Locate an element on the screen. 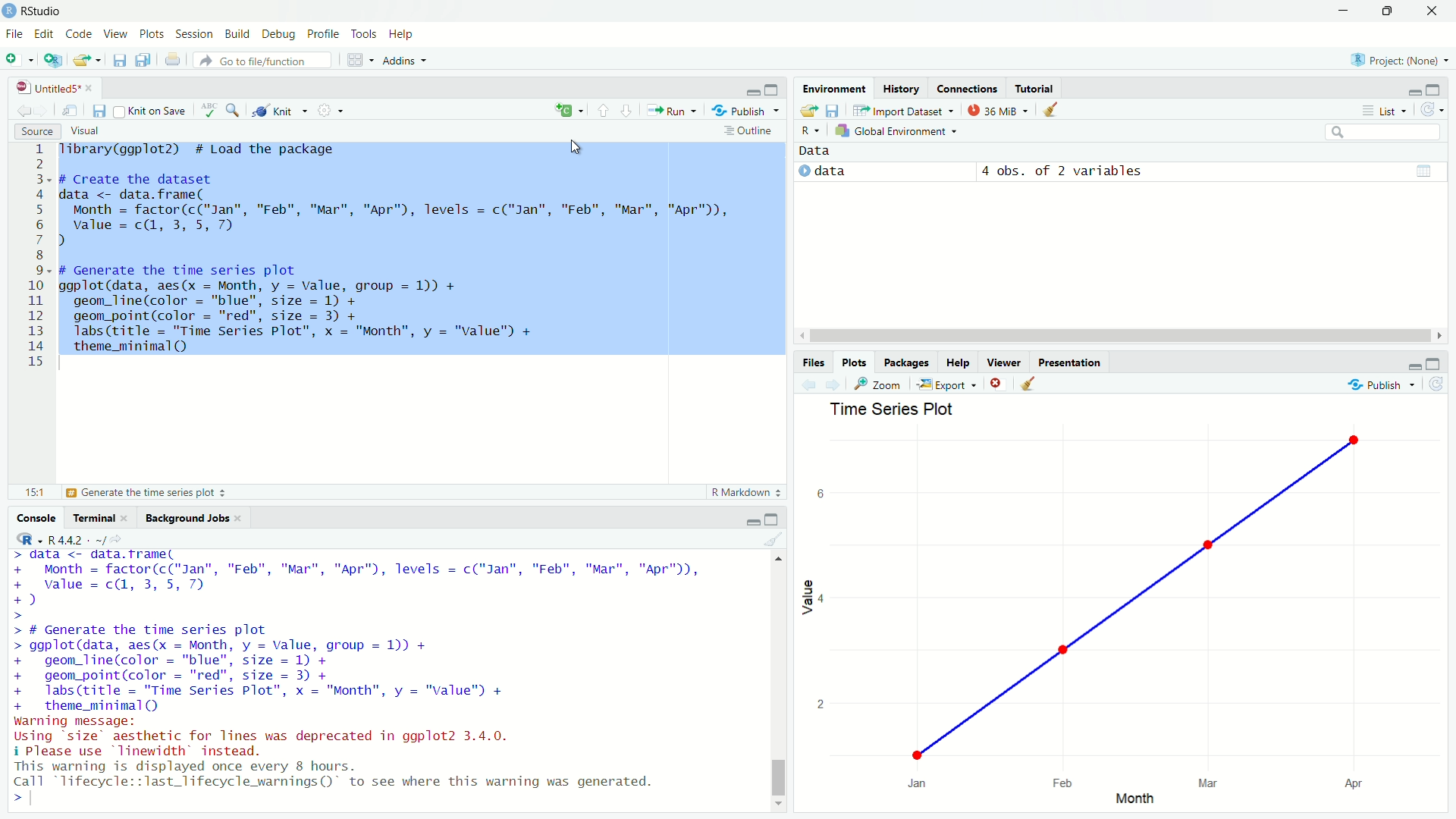 Image resolution: width=1456 pixels, height=819 pixels. table is located at coordinates (1423, 170).